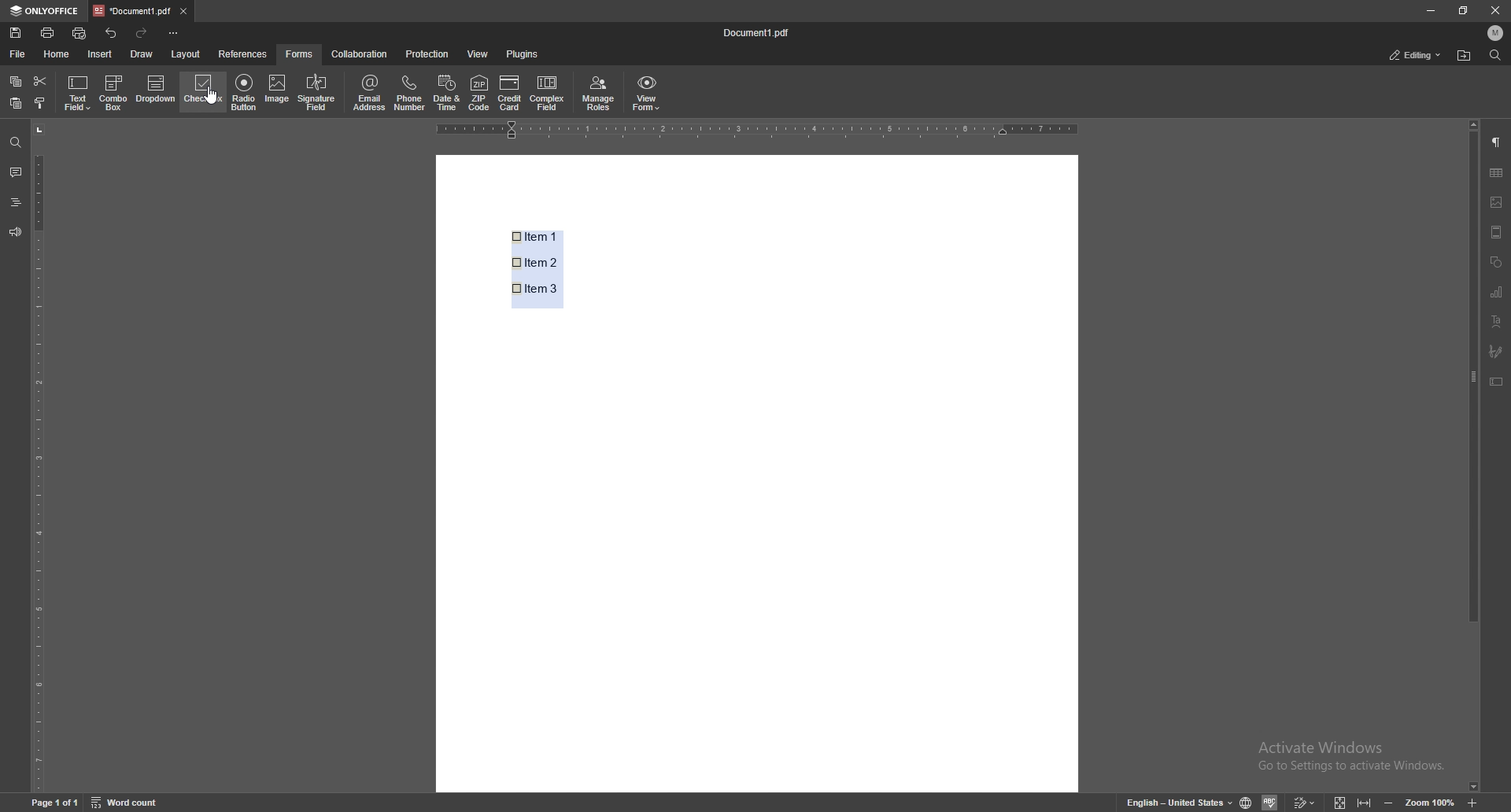 The image size is (1511, 812). Describe the element at coordinates (648, 94) in the screenshot. I see `view form` at that location.